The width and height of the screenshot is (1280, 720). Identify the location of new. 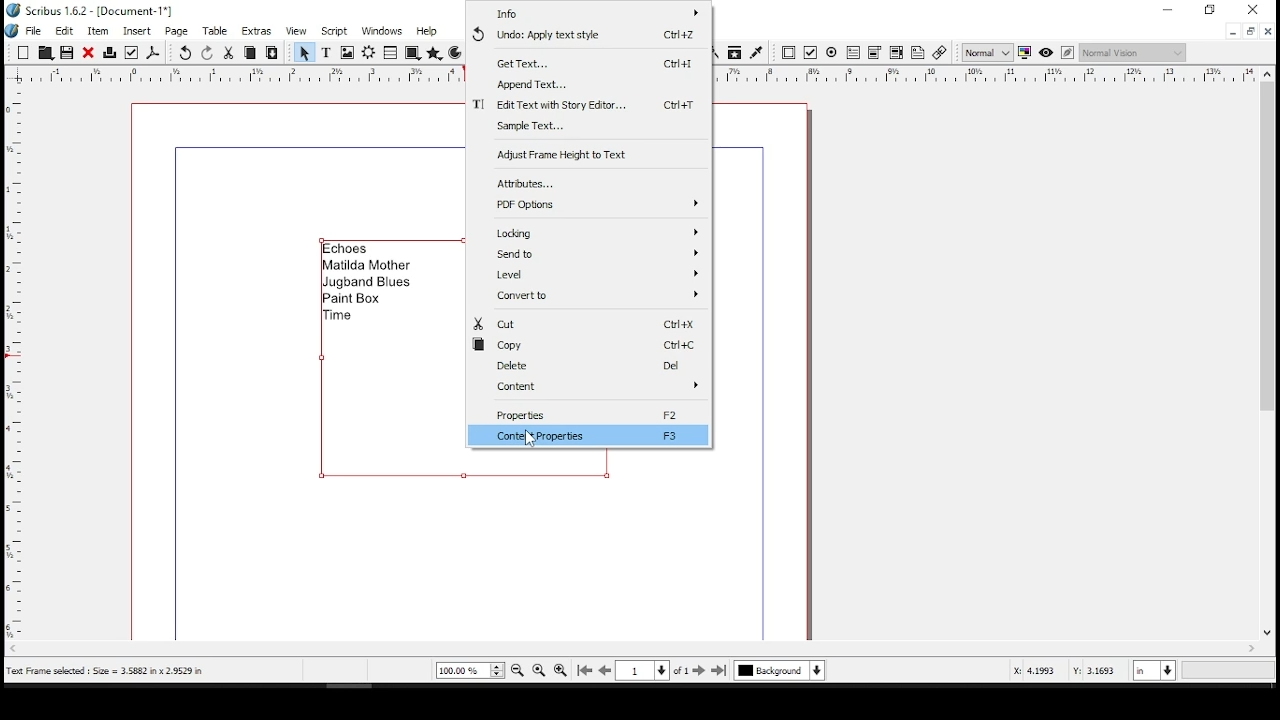
(23, 52).